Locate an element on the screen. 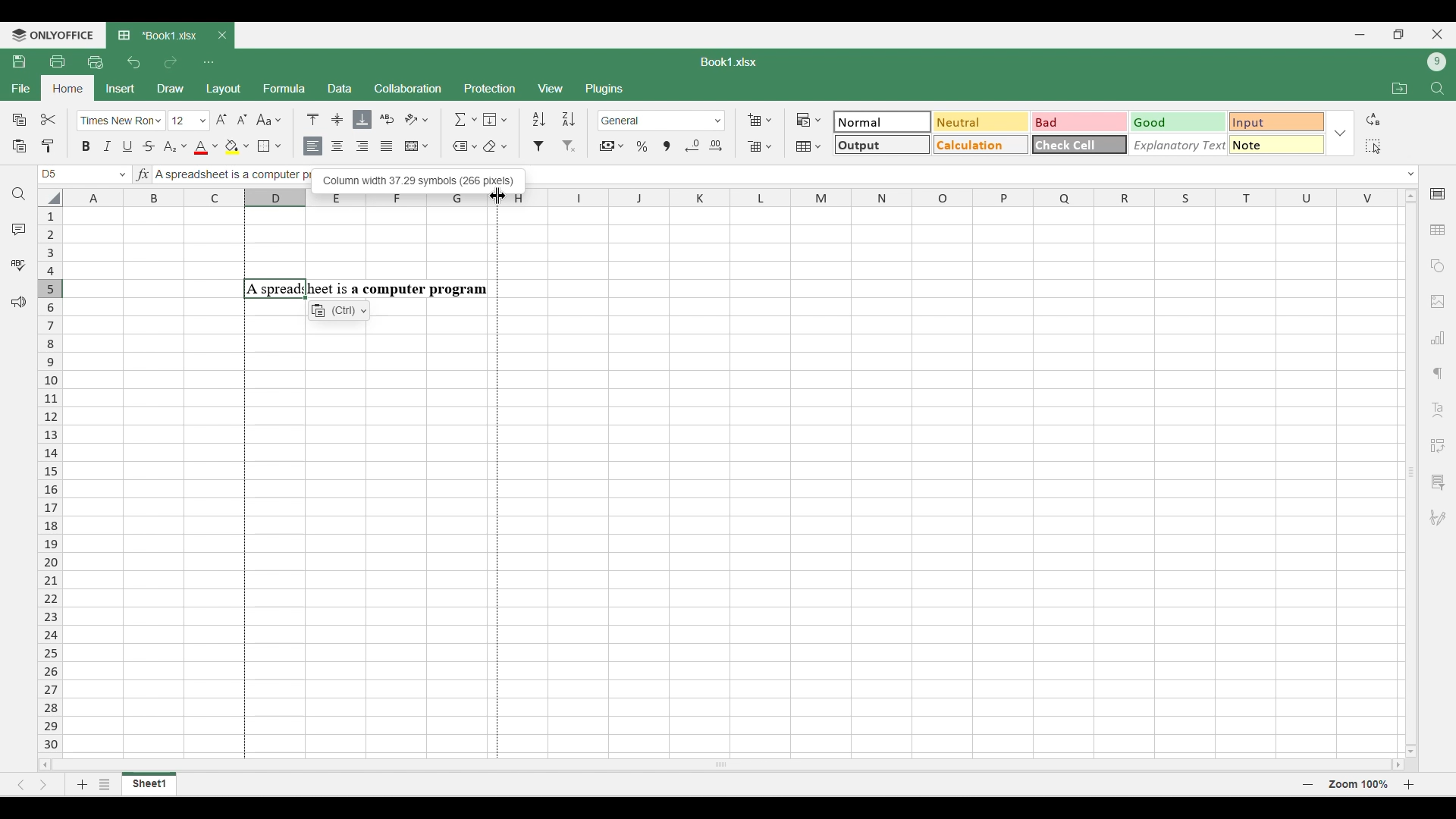  Paste is located at coordinates (18, 146).